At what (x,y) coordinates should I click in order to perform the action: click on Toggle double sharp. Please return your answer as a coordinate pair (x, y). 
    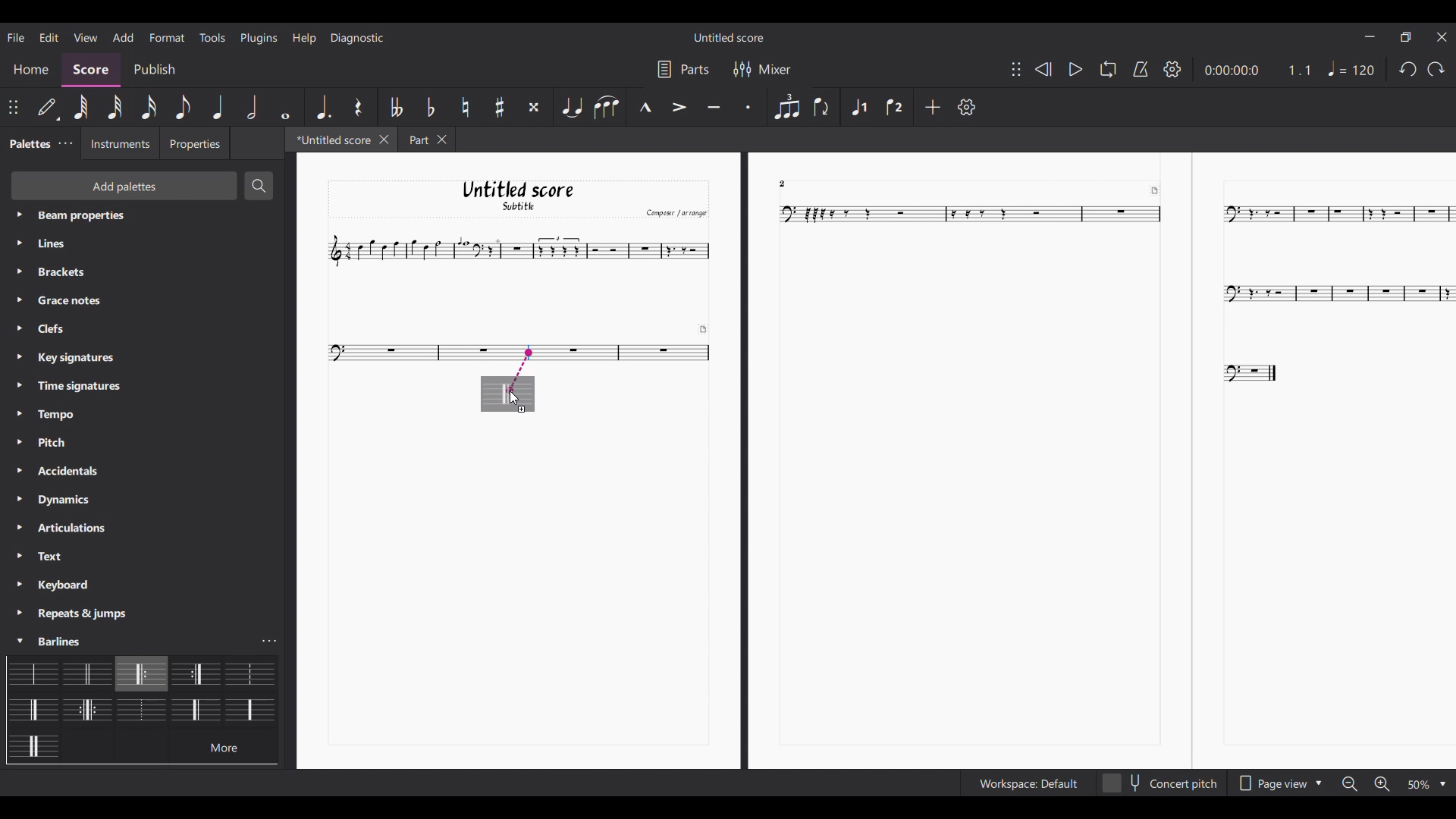
    Looking at the image, I should click on (535, 107).